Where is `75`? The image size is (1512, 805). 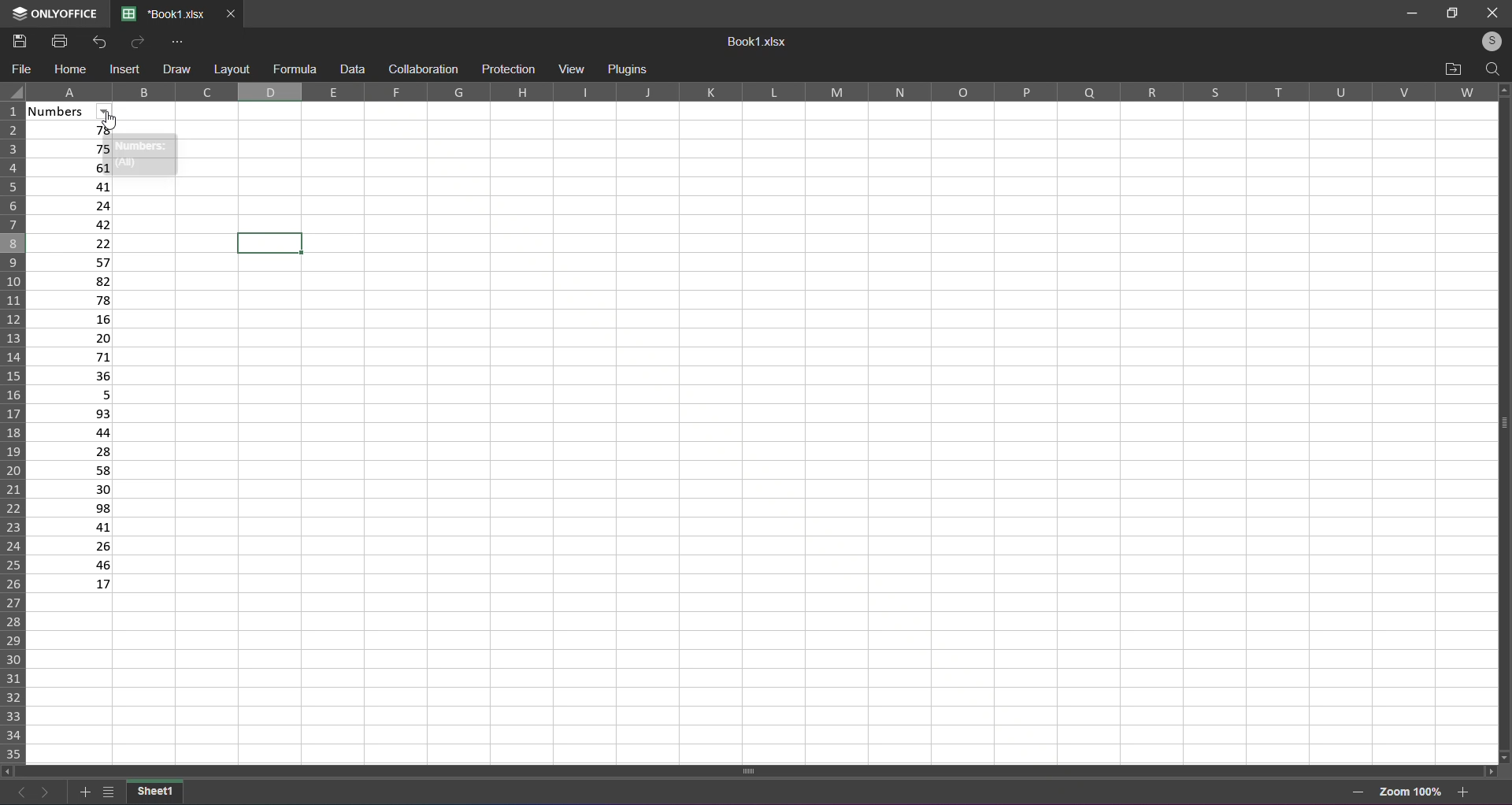
75 is located at coordinates (69, 150).